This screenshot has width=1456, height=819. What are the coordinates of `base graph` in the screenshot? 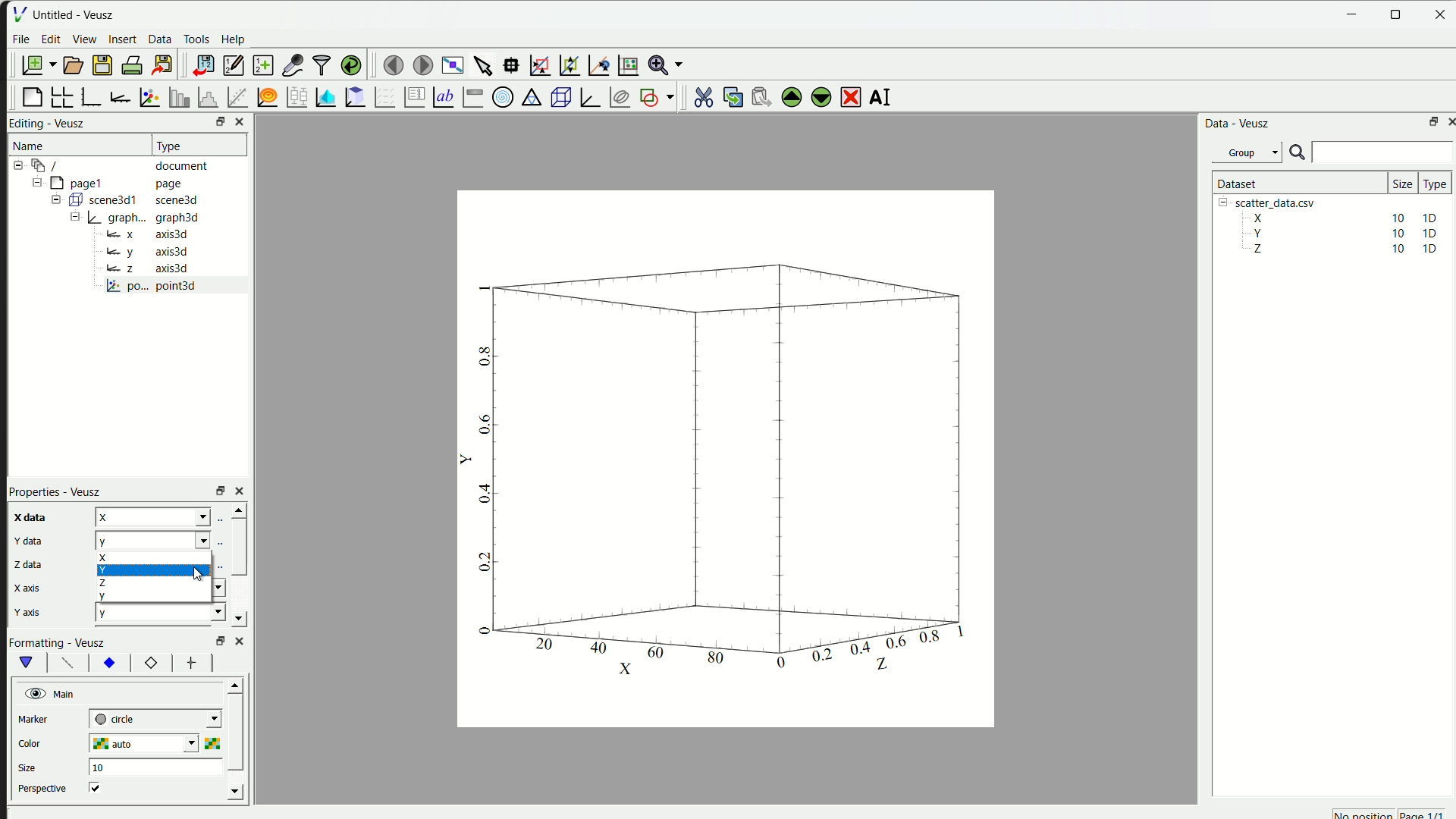 It's located at (91, 96).